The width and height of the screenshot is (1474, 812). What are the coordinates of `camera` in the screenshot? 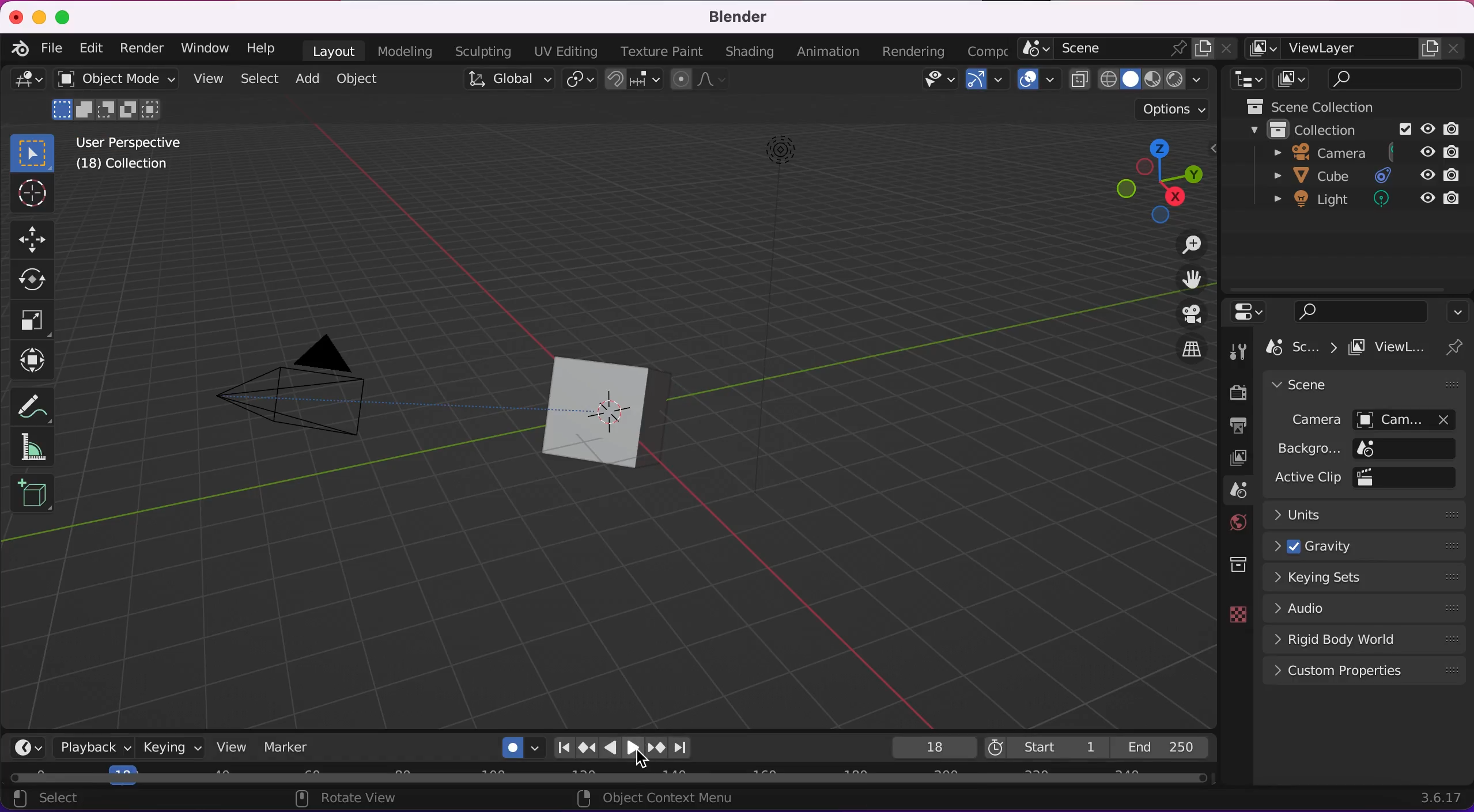 It's located at (1363, 418).